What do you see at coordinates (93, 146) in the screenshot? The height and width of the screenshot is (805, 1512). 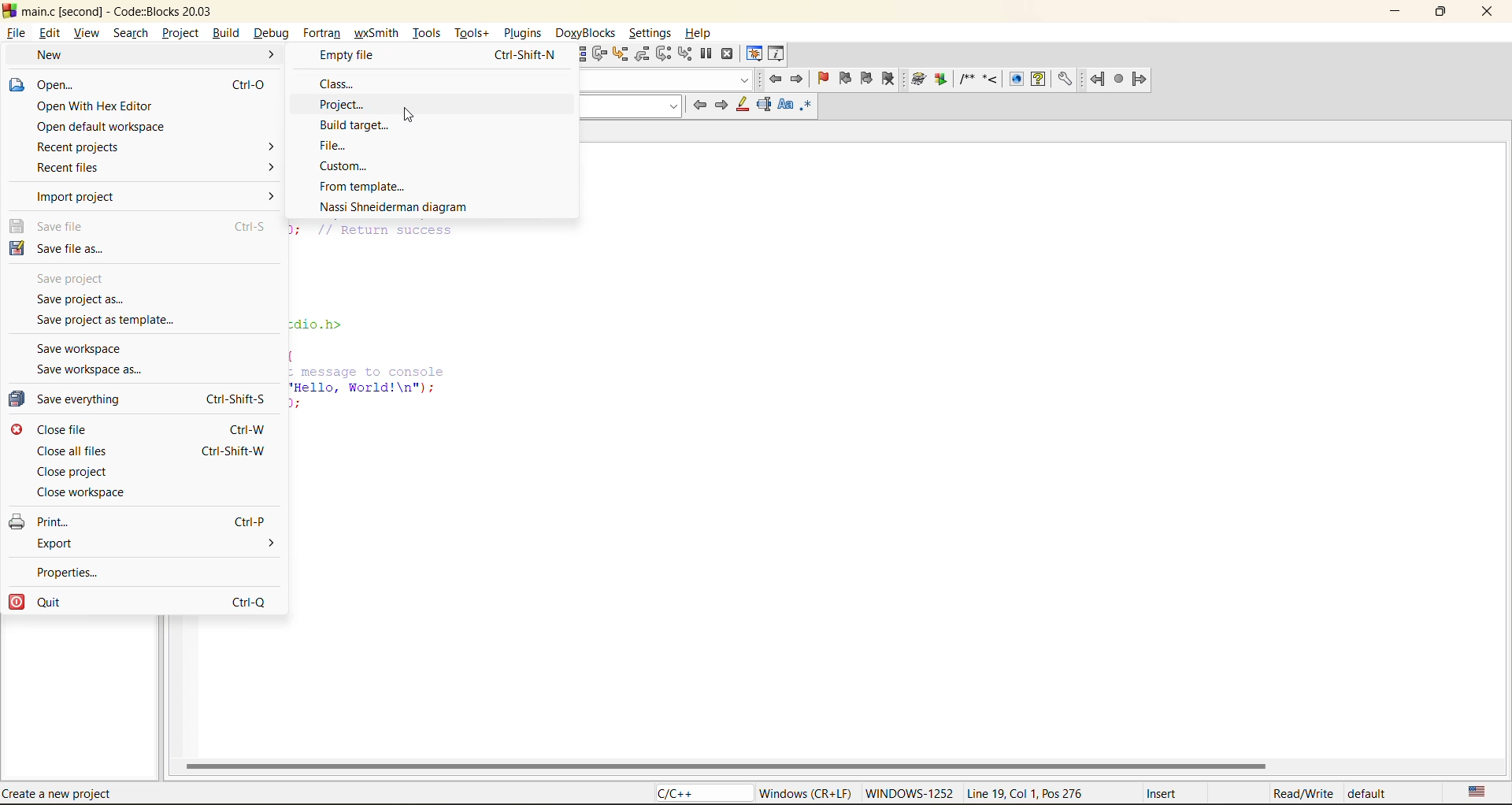 I see `recent projects` at bounding box center [93, 146].